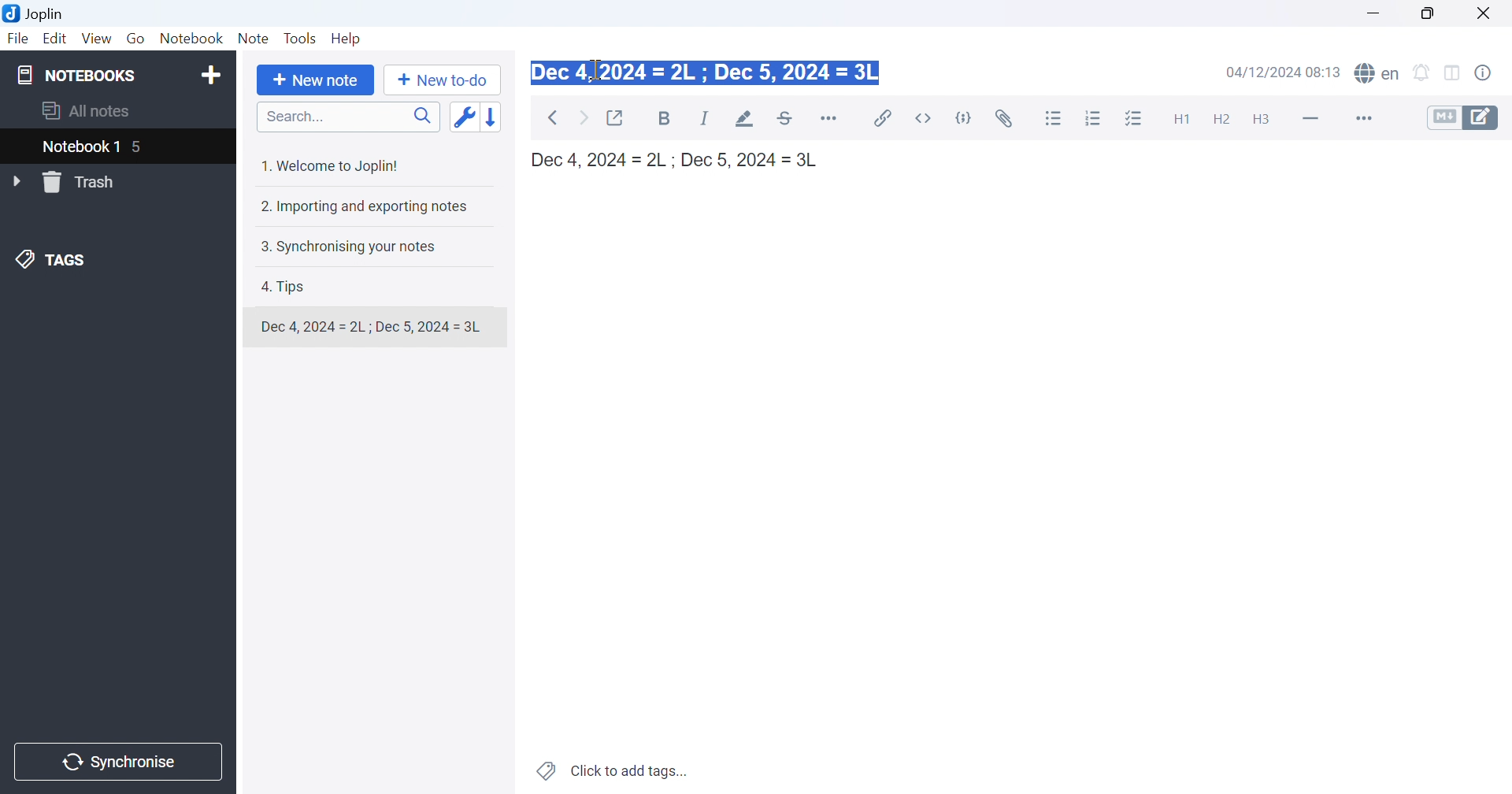 The image size is (1512, 794). What do you see at coordinates (53, 262) in the screenshot?
I see `TAGS` at bounding box center [53, 262].